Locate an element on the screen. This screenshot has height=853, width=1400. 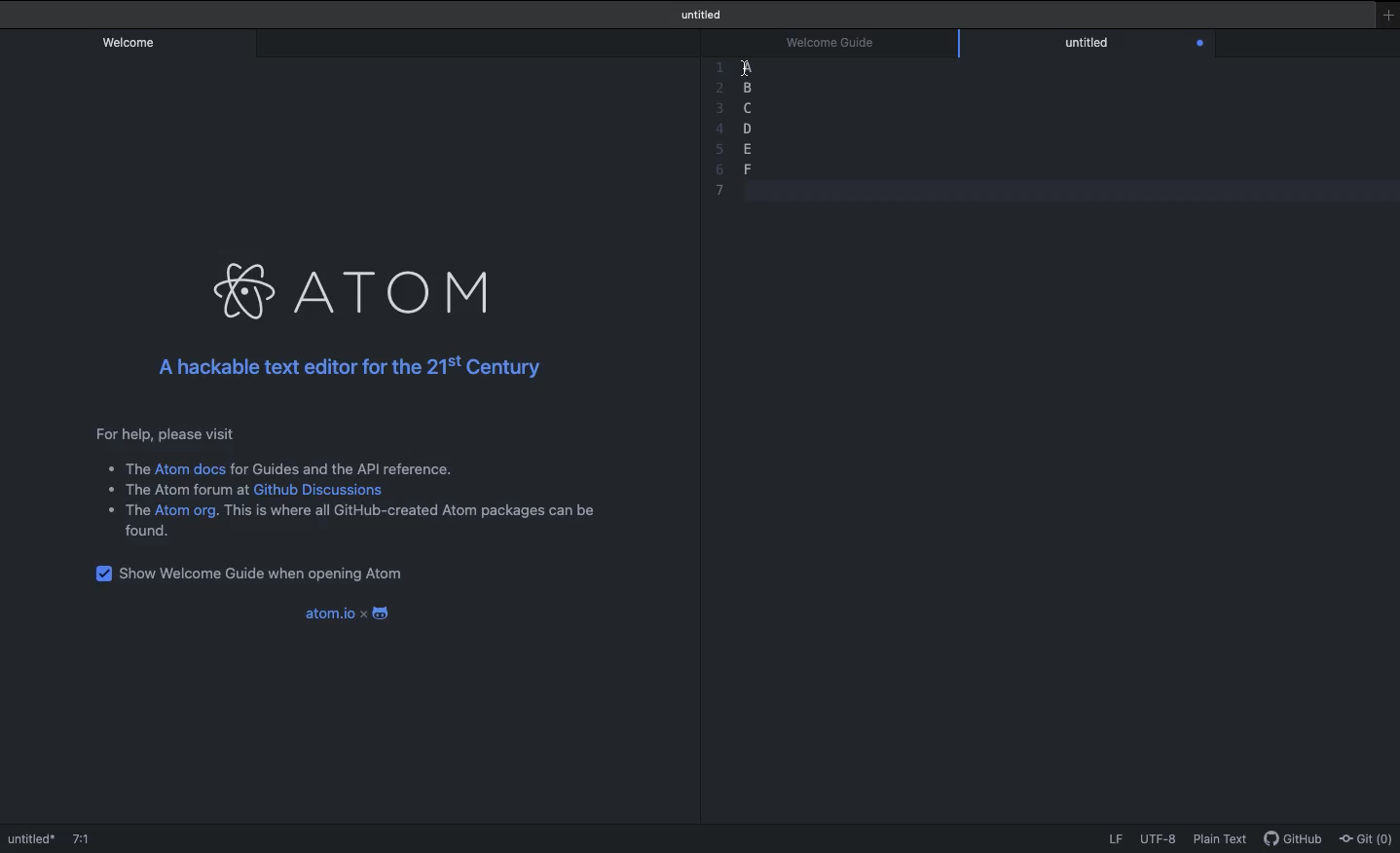
New window  is located at coordinates (1387, 16).